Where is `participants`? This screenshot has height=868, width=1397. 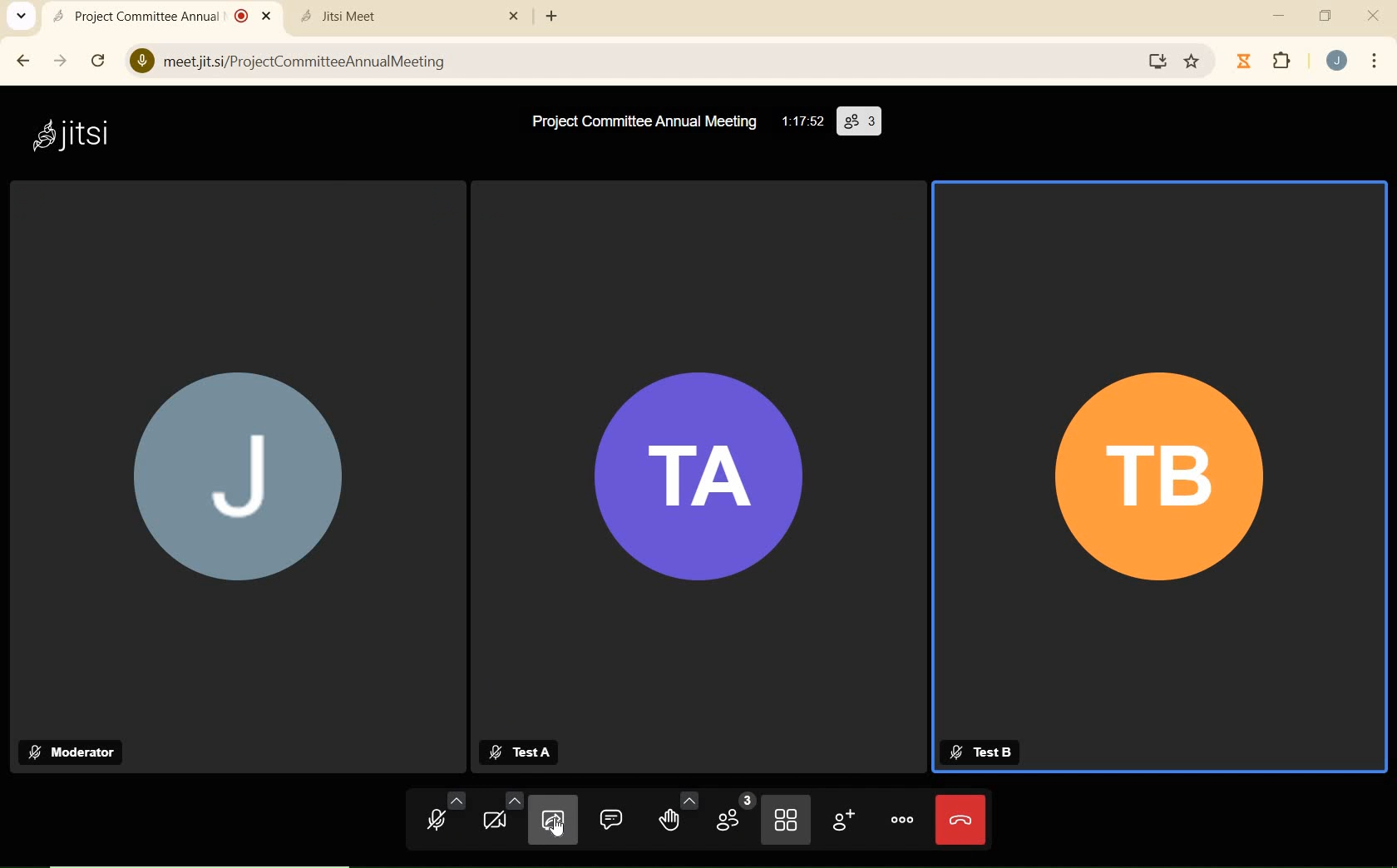
participants is located at coordinates (733, 817).